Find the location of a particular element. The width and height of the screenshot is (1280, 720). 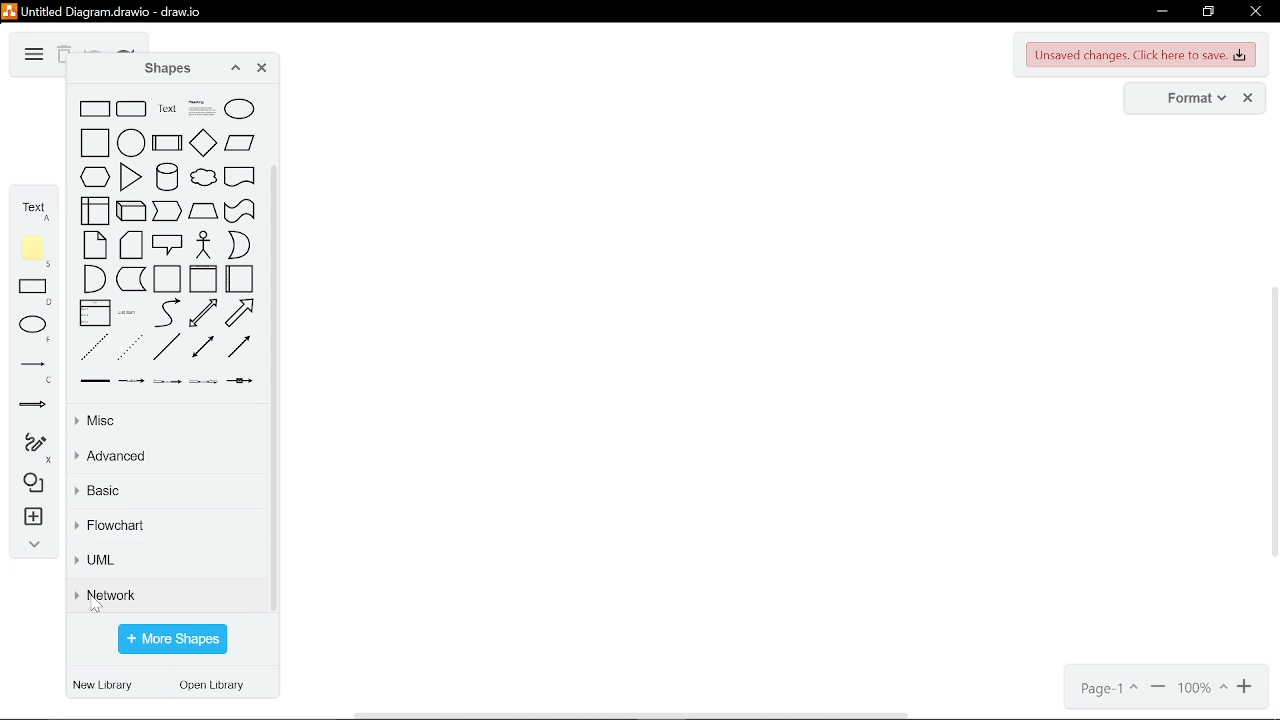

new library is located at coordinates (106, 686).